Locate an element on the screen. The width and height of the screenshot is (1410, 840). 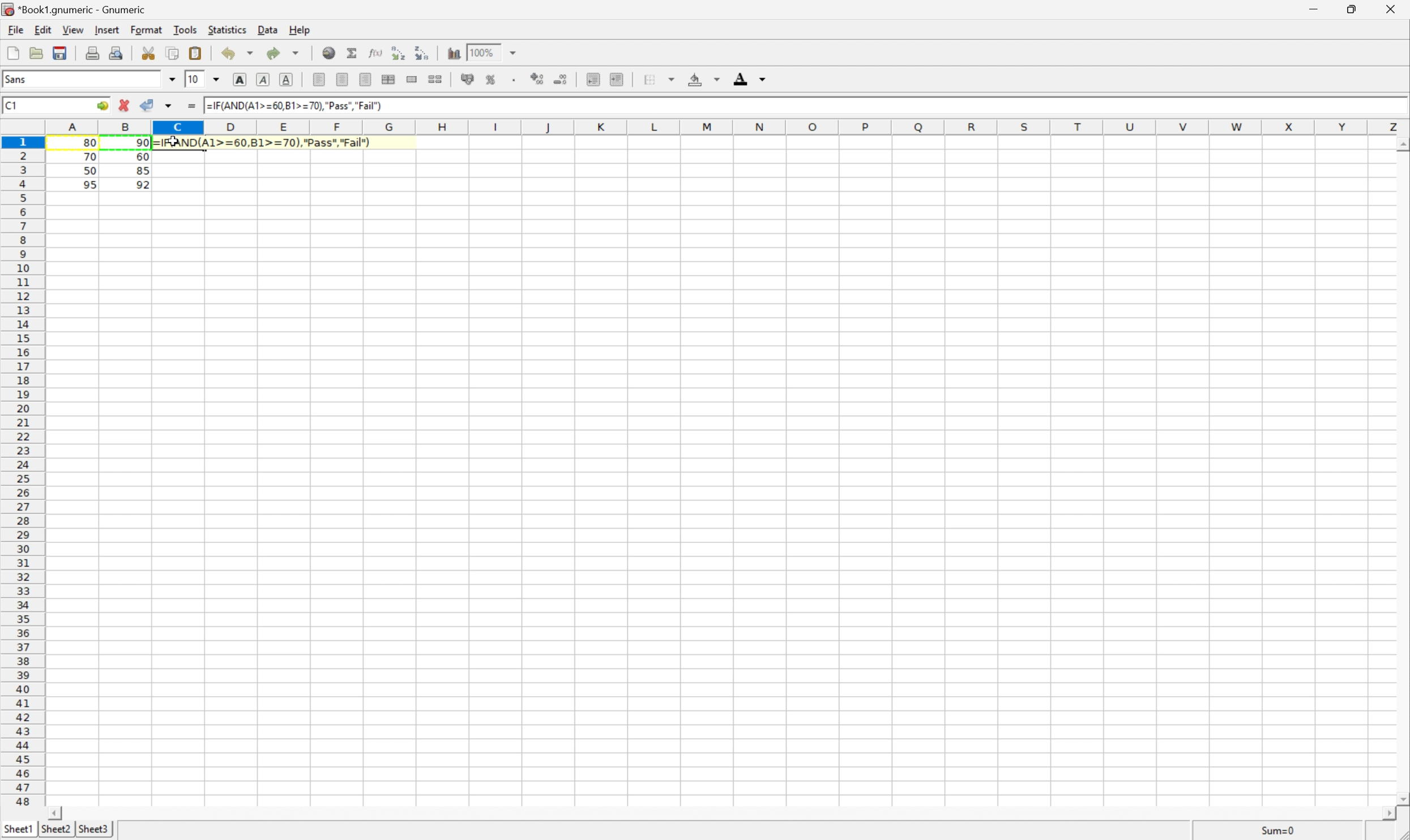
Redo is located at coordinates (271, 51).